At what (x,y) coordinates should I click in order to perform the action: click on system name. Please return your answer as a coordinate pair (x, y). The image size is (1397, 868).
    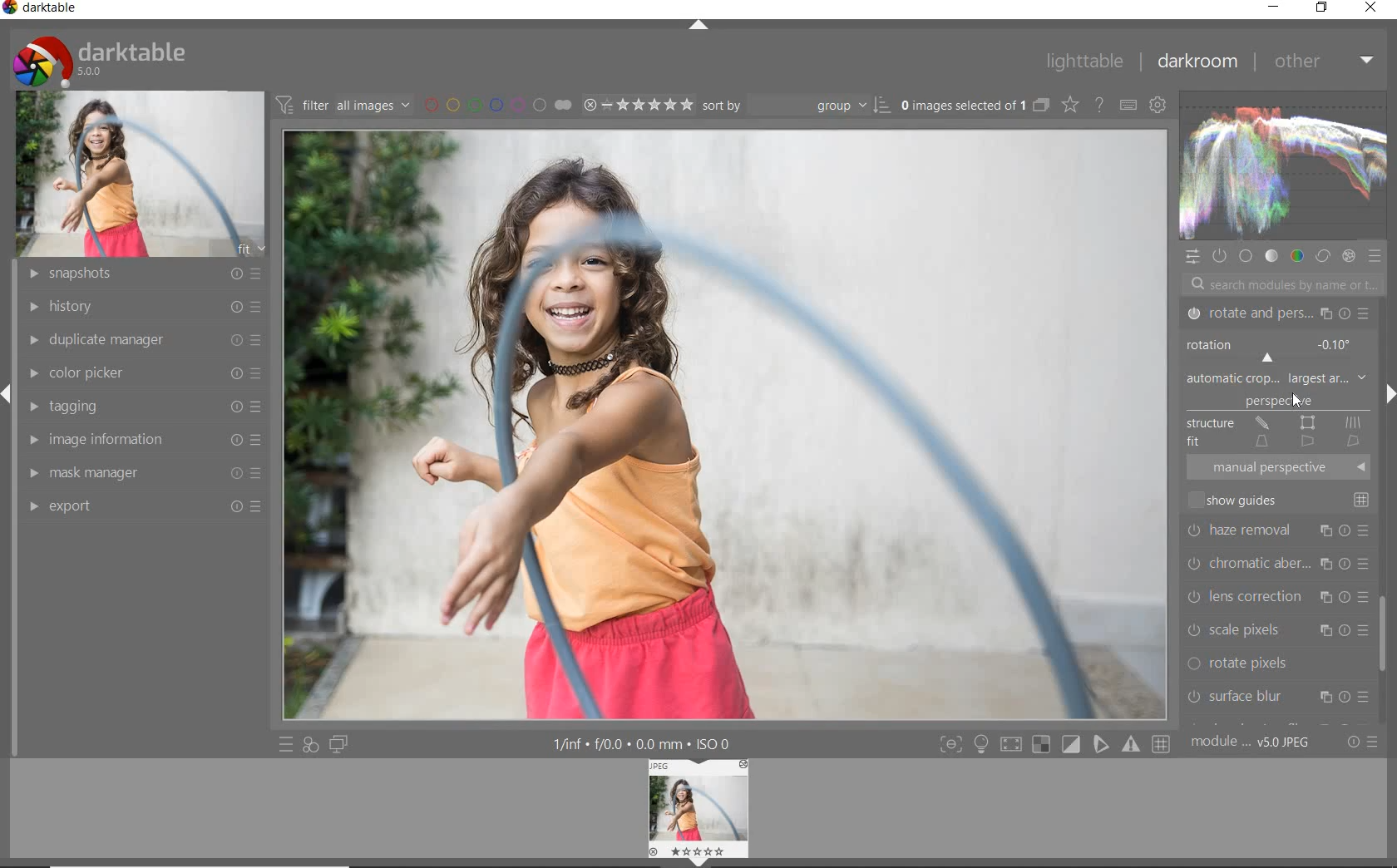
    Looking at the image, I should click on (42, 10).